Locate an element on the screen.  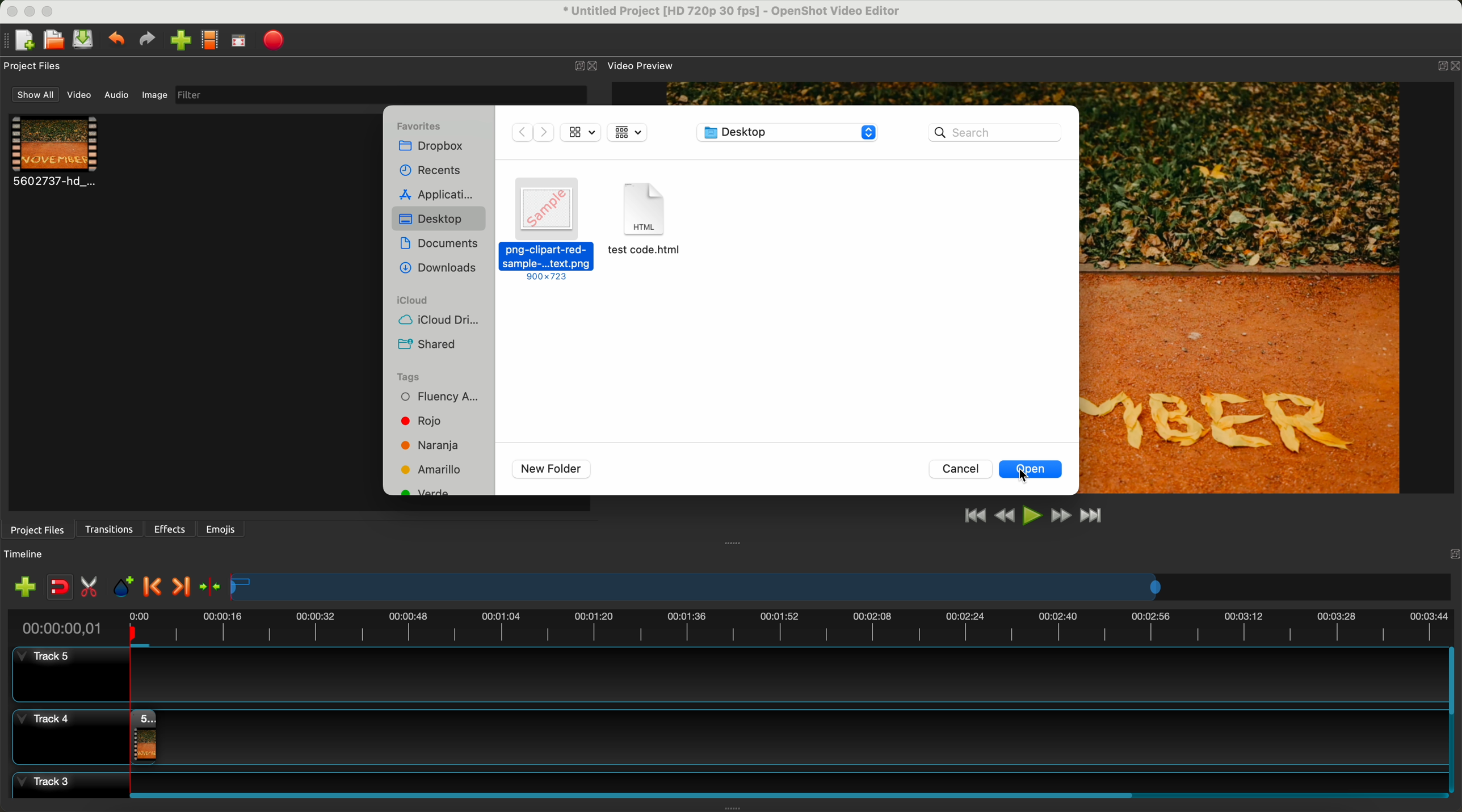
track 5 is located at coordinates (724, 675).